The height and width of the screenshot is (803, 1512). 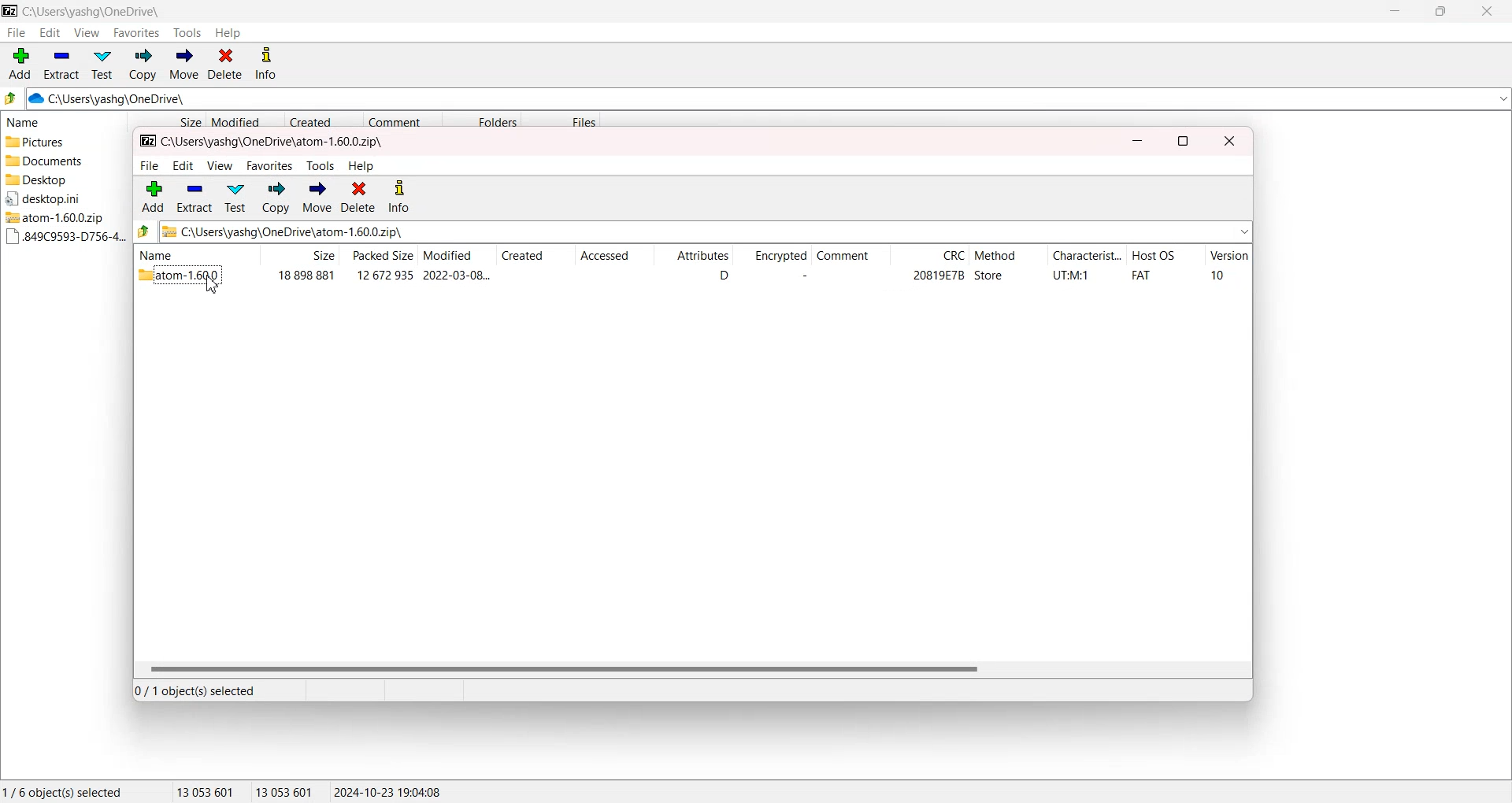 What do you see at coordinates (285, 791) in the screenshot?
I see `13 053 601` at bounding box center [285, 791].